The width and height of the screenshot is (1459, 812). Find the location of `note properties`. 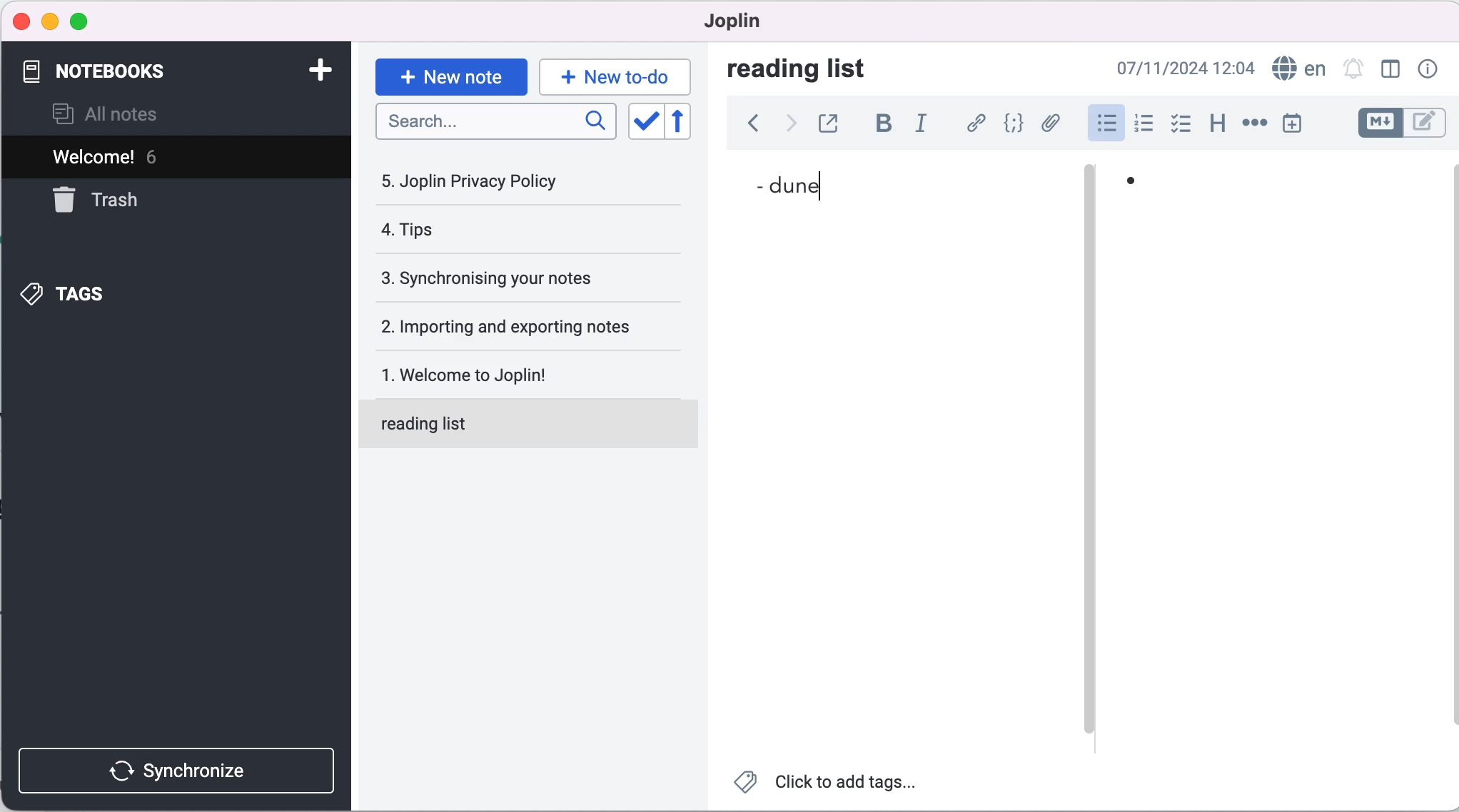

note properties is located at coordinates (1432, 68).